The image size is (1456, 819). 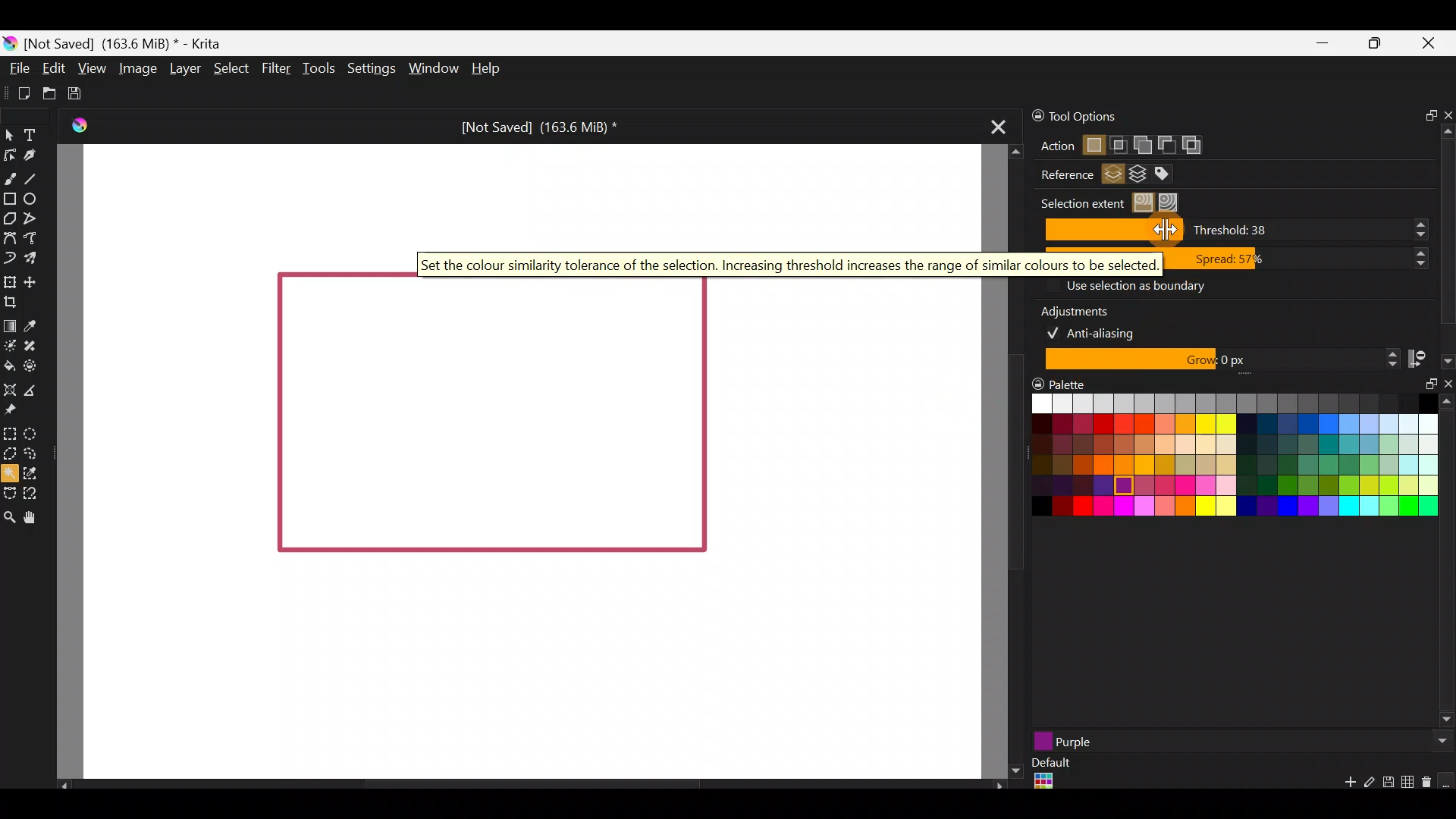 I want to click on Select all regions until a specific boundary colour, so click(x=1172, y=202).